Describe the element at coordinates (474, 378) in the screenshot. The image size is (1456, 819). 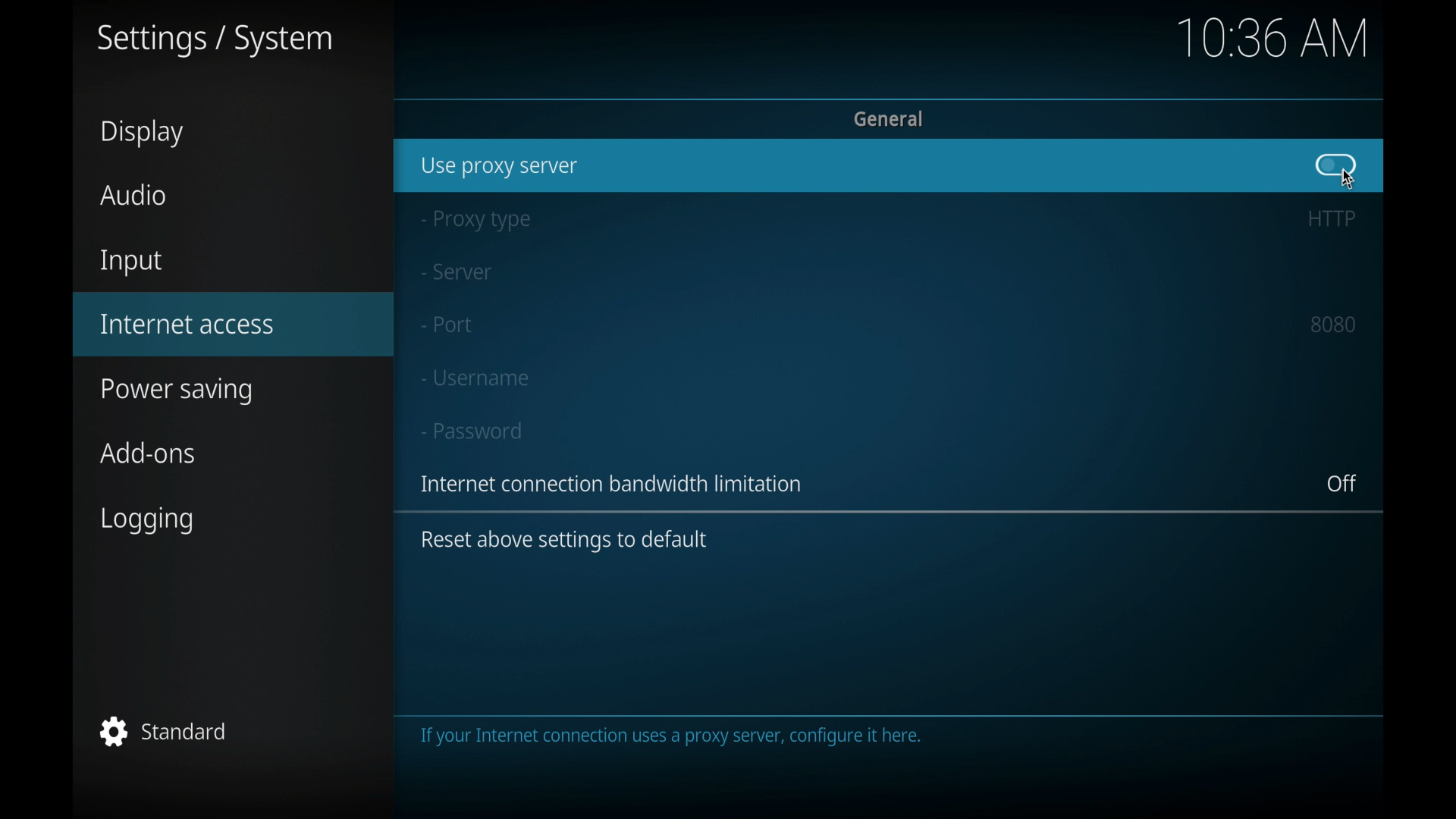
I see `username` at that location.